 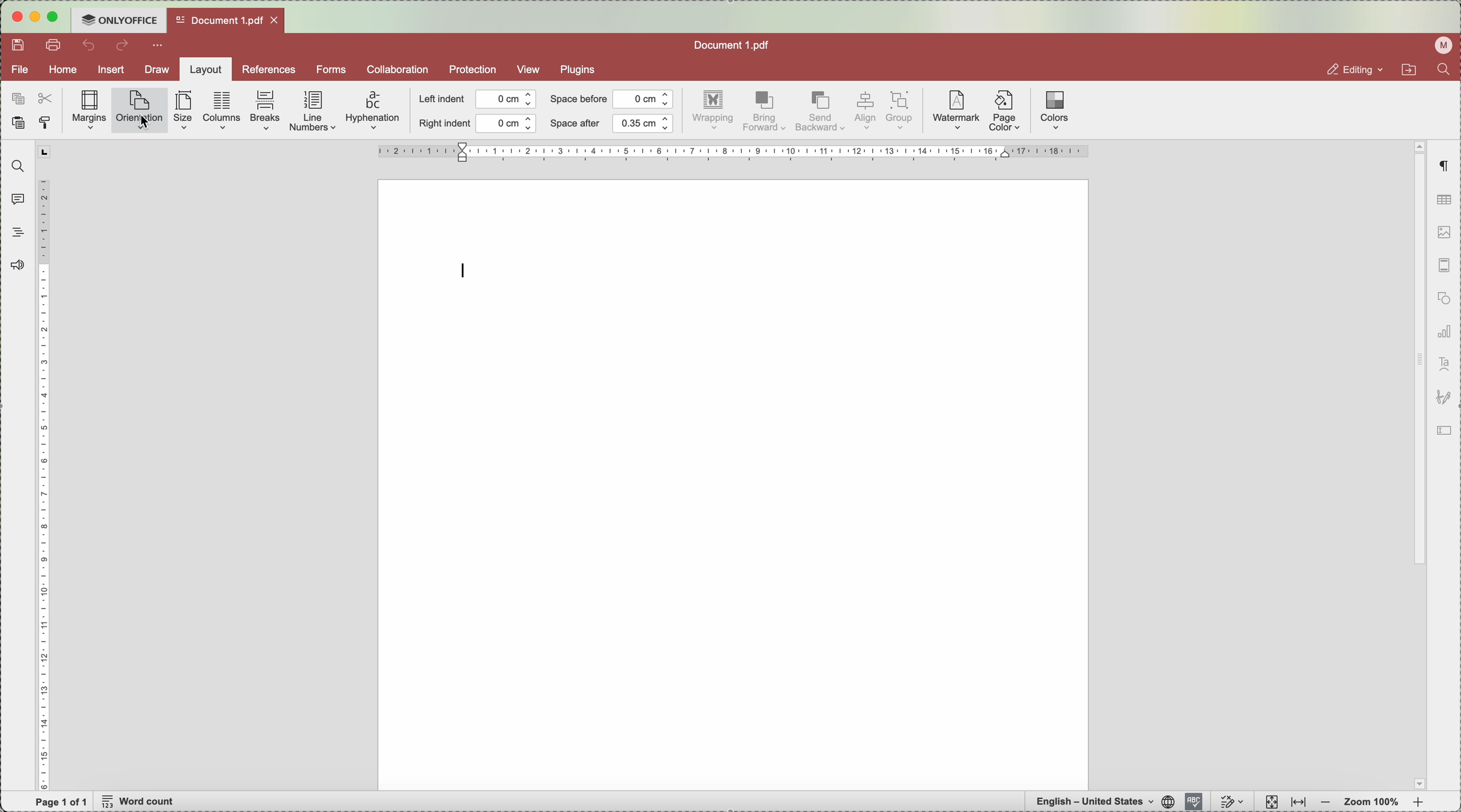 What do you see at coordinates (1442, 268) in the screenshot?
I see `page thumbnails` at bounding box center [1442, 268].